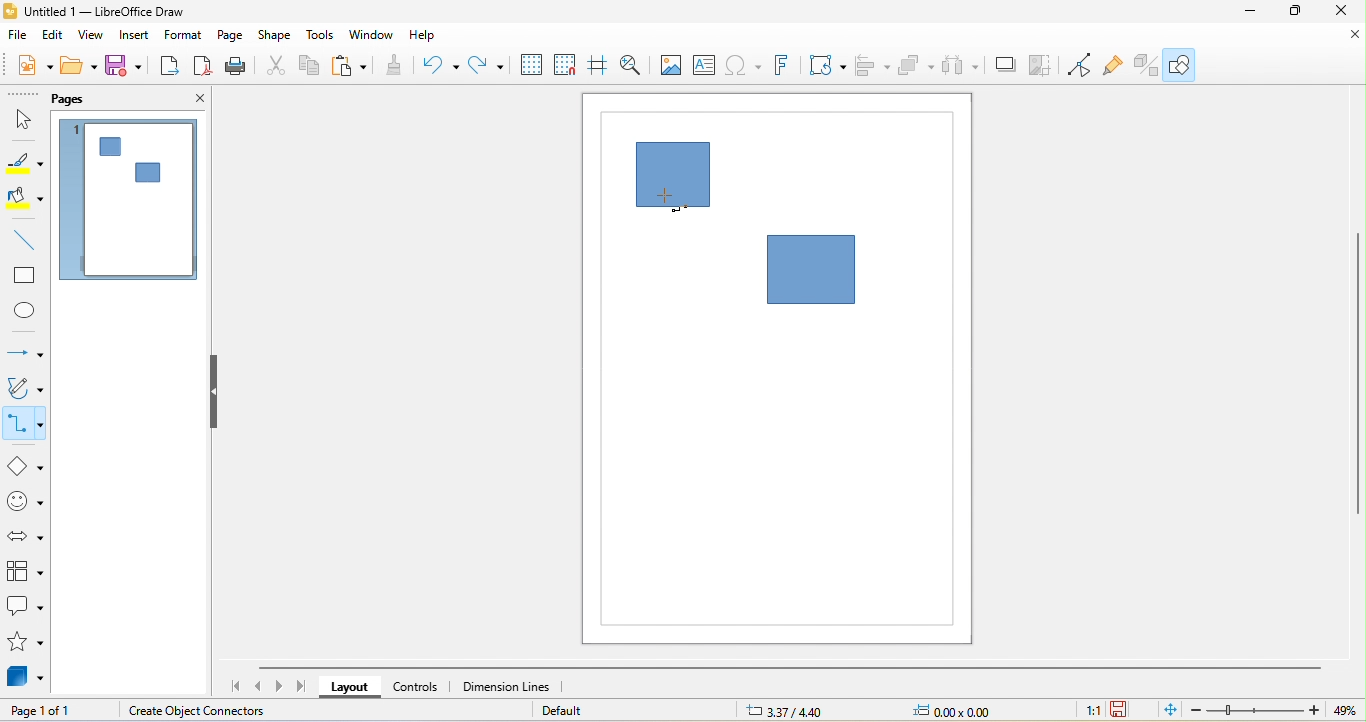 The width and height of the screenshot is (1366, 722). Describe the element at coordinates (788, 65) in the screenshot. I see `fontwork text` at that location.